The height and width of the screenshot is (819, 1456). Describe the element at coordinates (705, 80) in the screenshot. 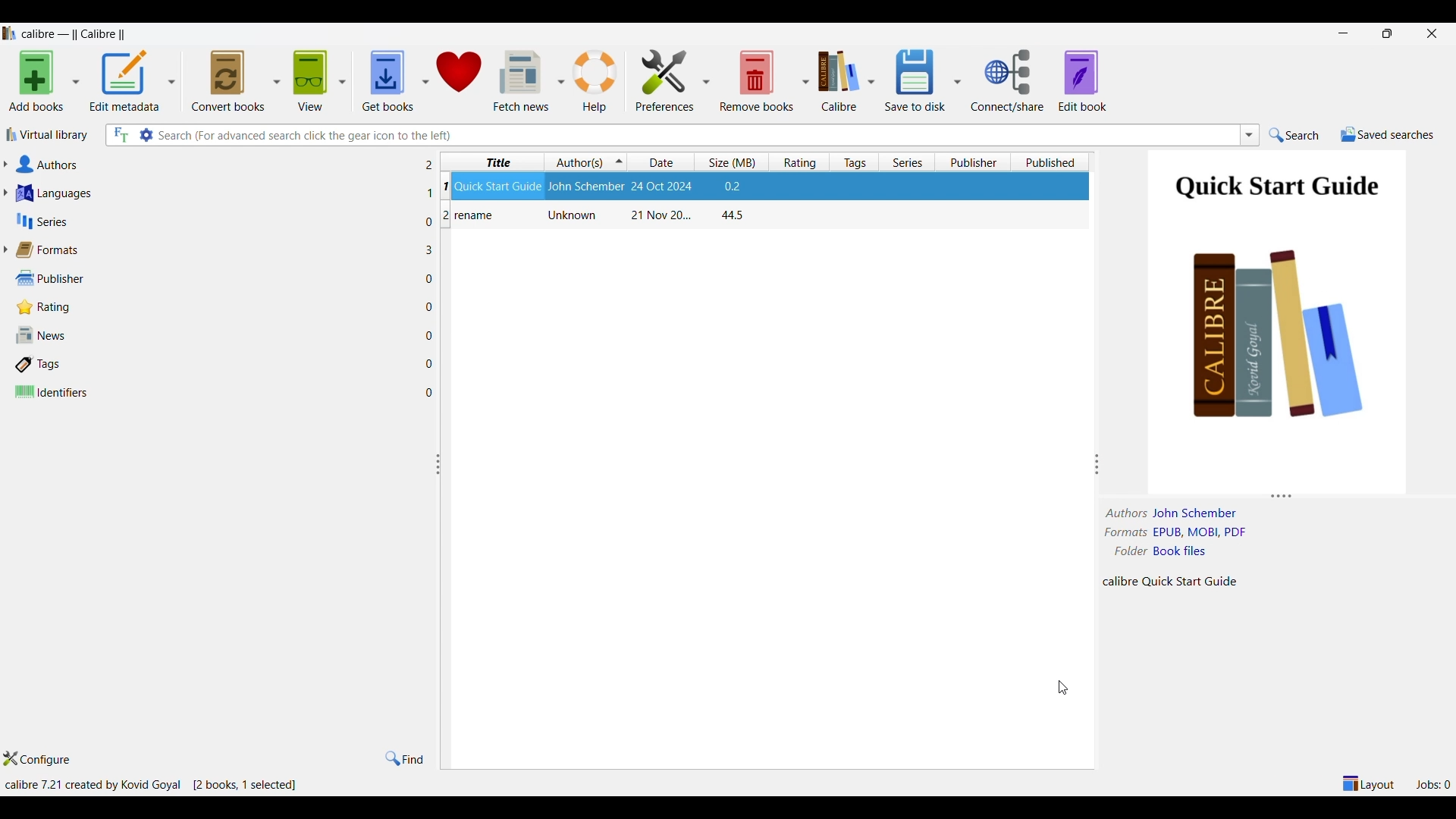

I see `Preference column` at that location.